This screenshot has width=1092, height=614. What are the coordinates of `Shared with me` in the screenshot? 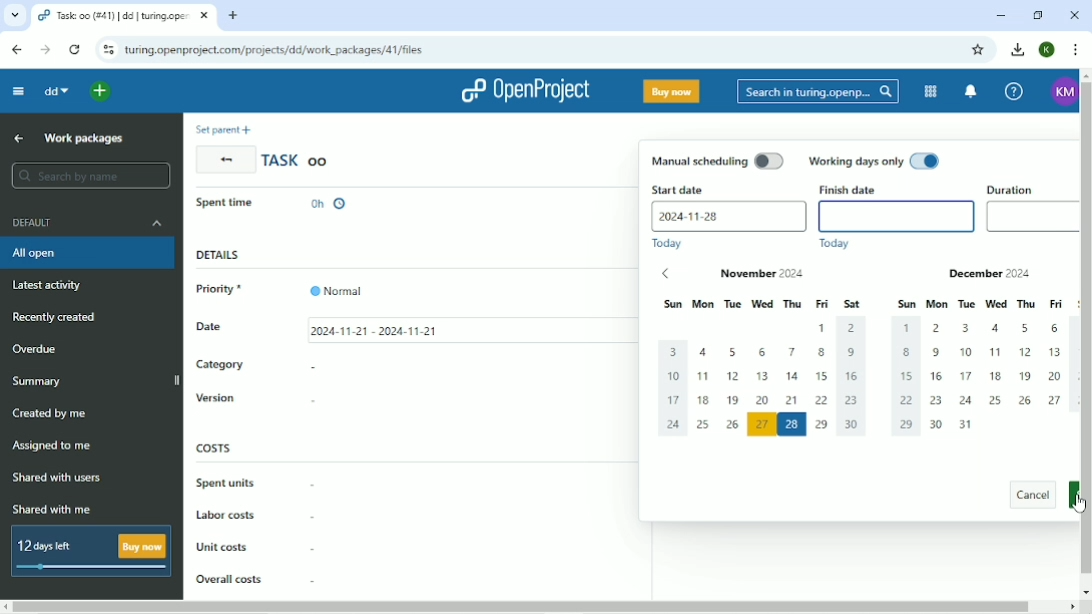 It's located at (53, 509).